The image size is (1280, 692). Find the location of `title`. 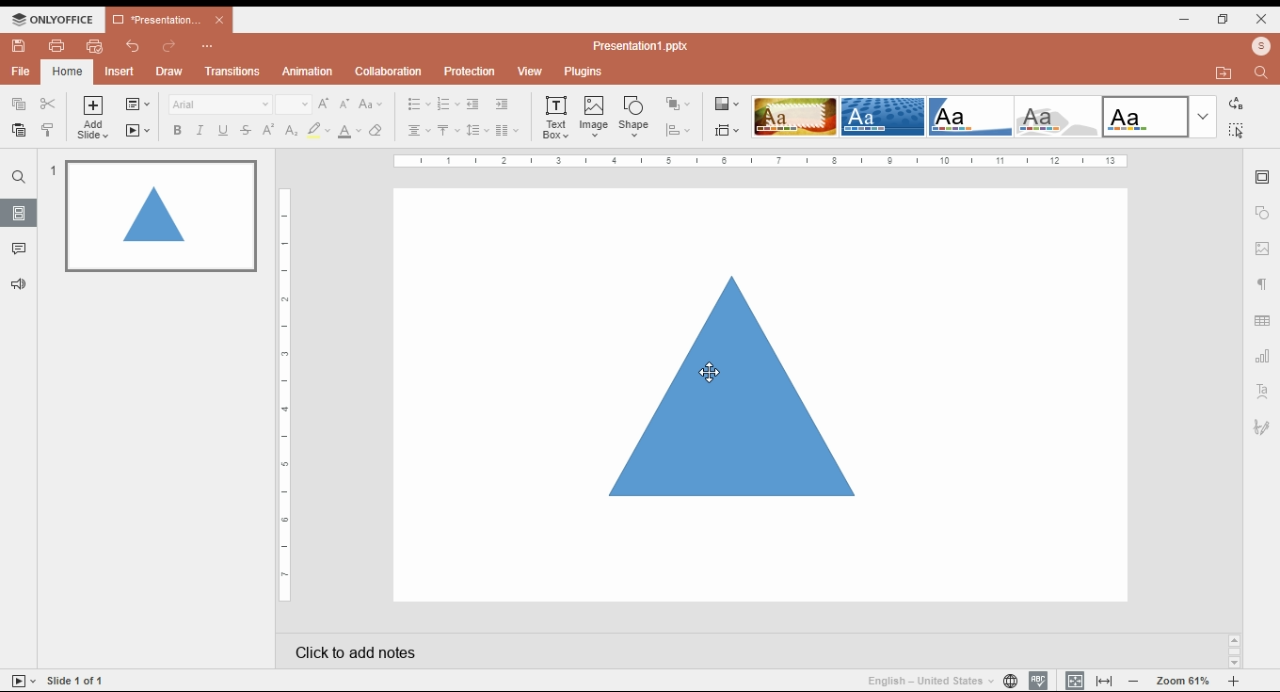

title is located at coordinates (641, 46).